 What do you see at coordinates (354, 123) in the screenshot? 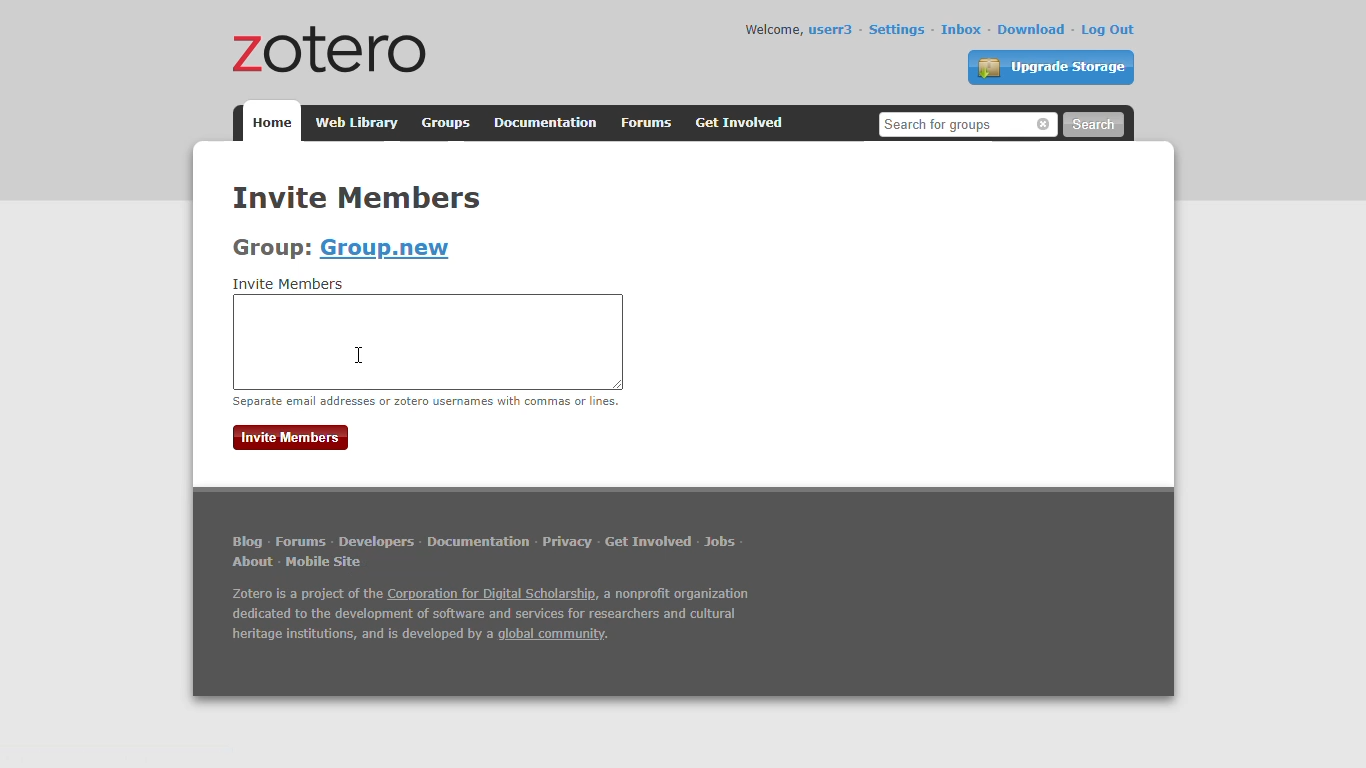
I see `web library` at bounding box center [354, 123].